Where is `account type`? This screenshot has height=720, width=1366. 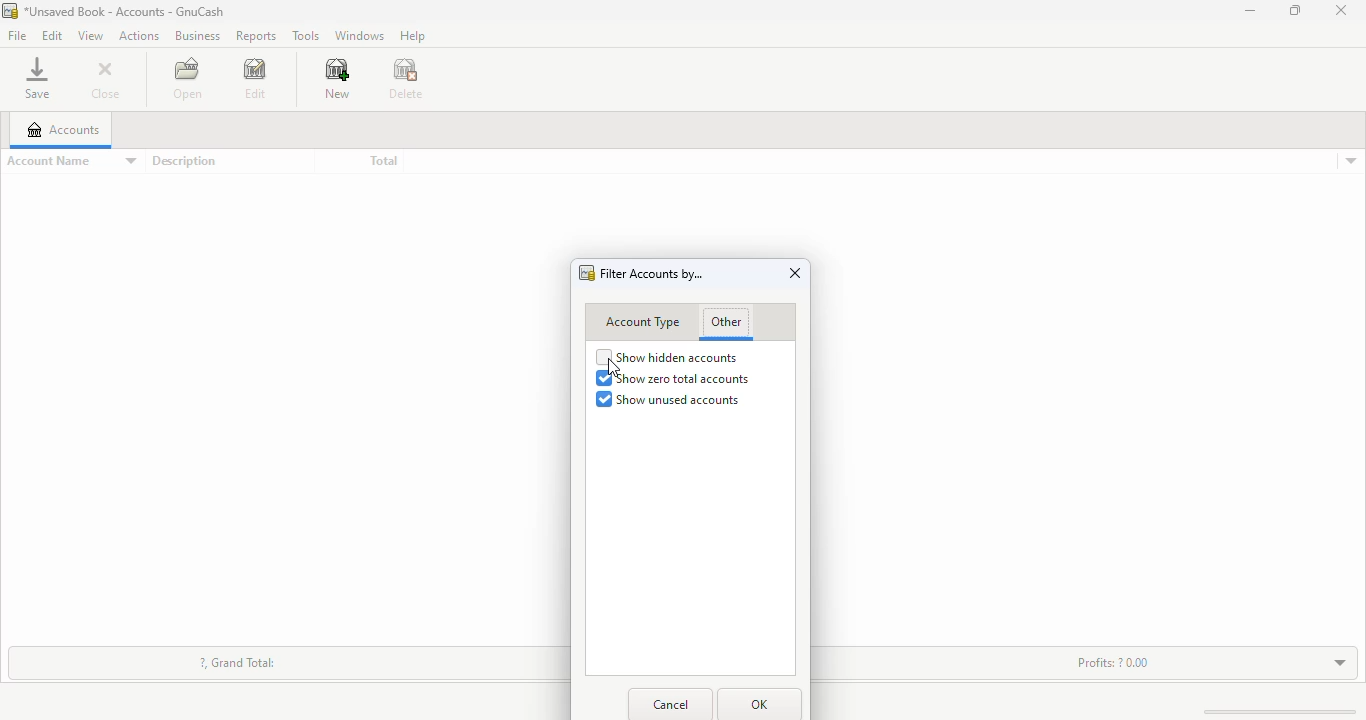
account type is located at coordinates (642, 322).